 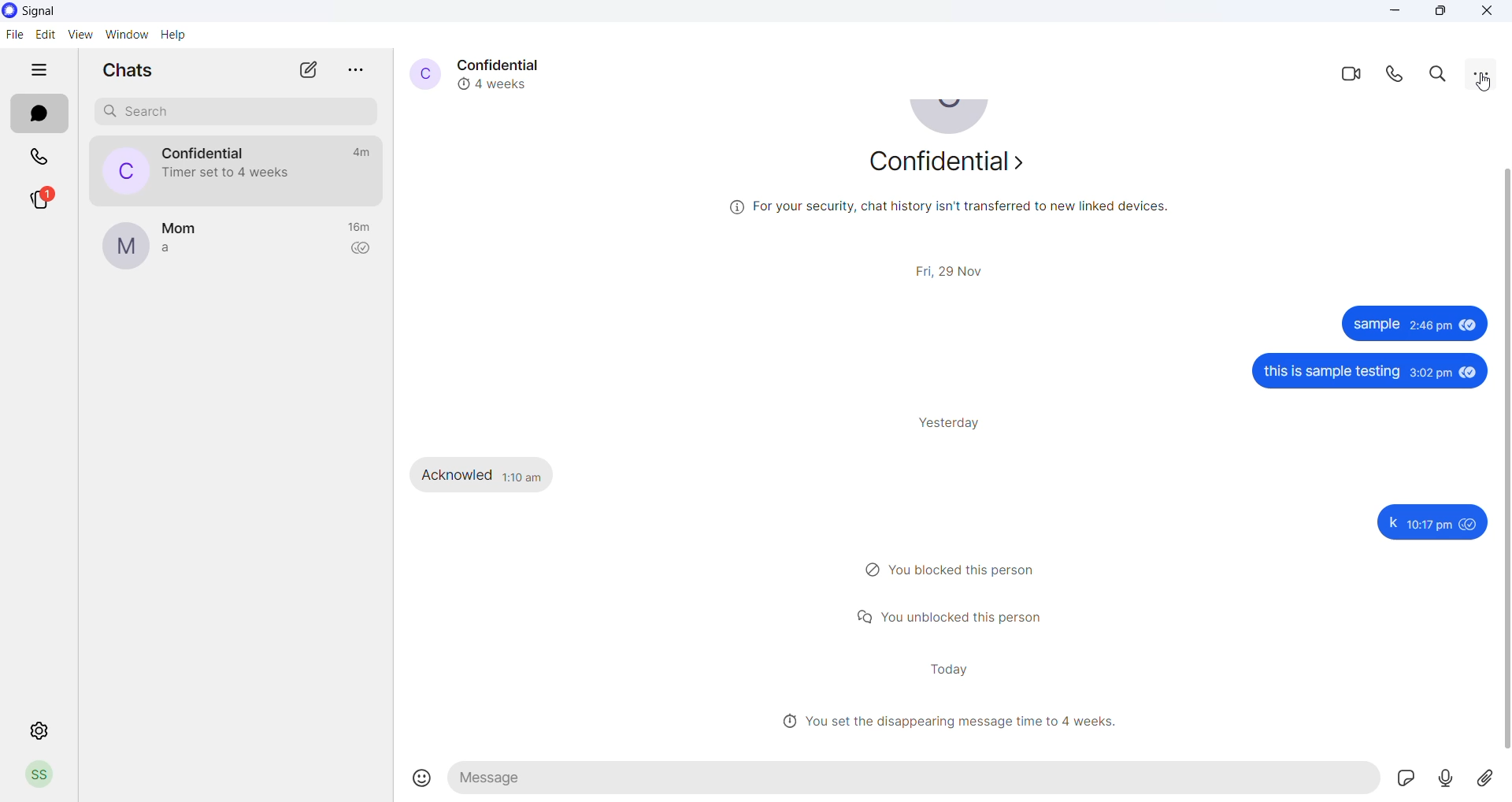 I want to click on profile, so click(x=46, y=776).